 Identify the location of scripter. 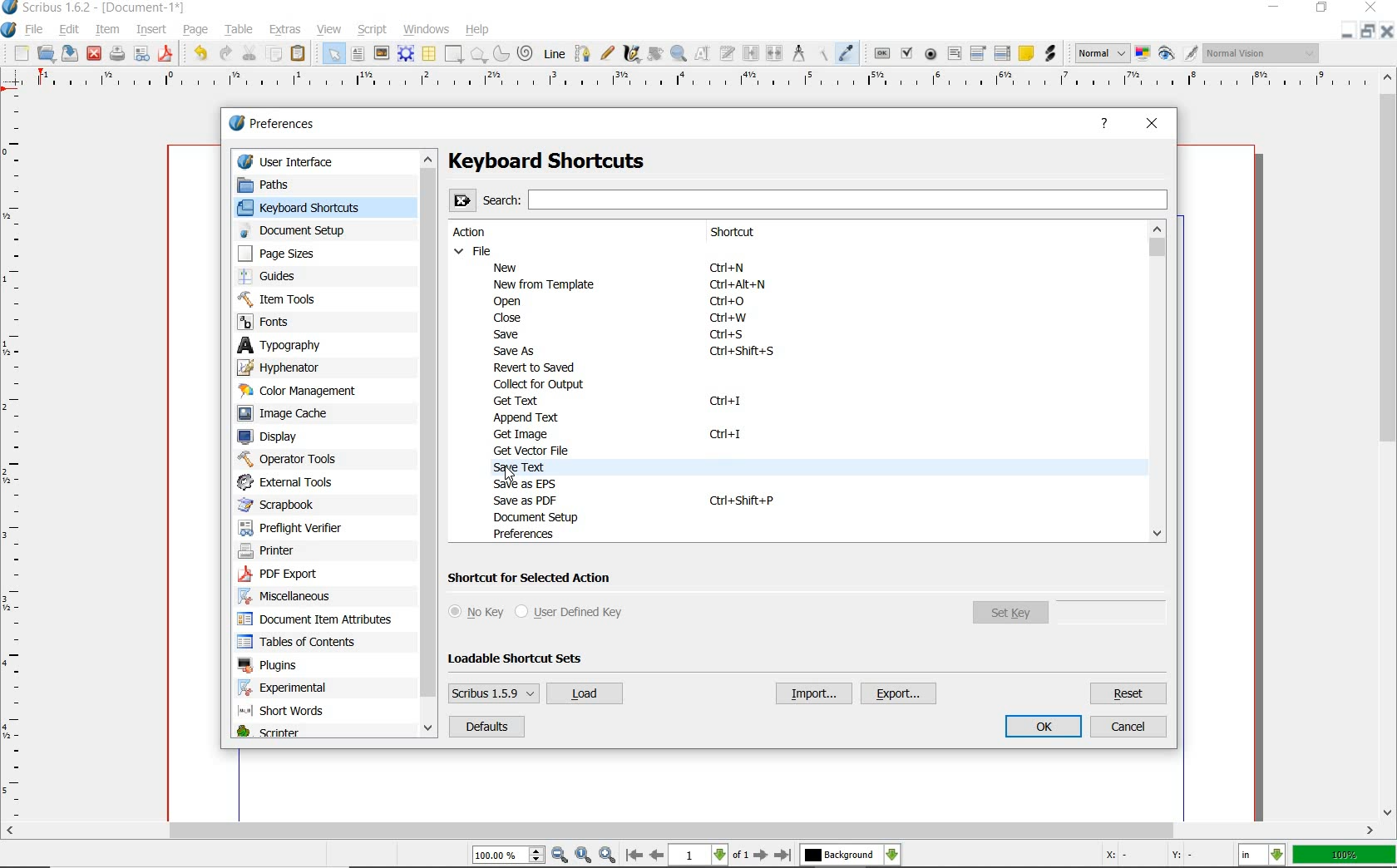
(268, 733).